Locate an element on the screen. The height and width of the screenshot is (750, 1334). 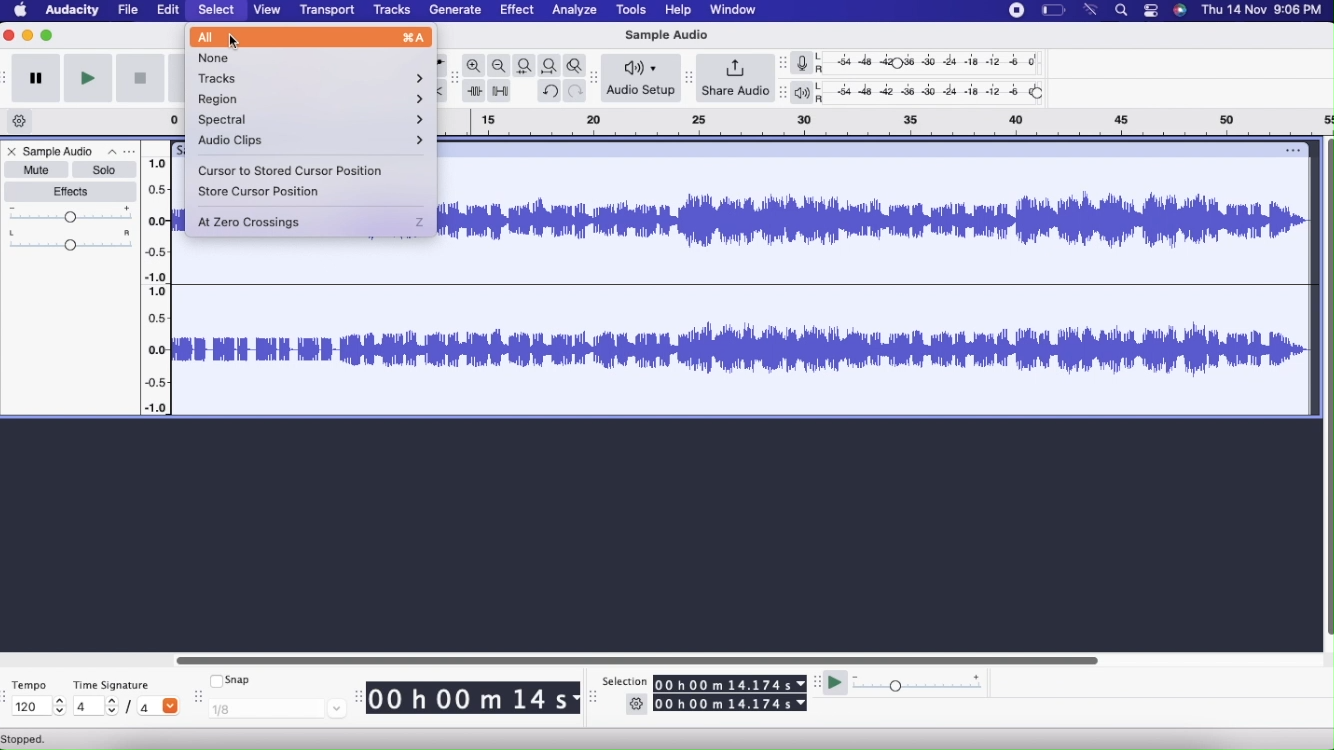
Tracks is located at coordinates (313, 76).